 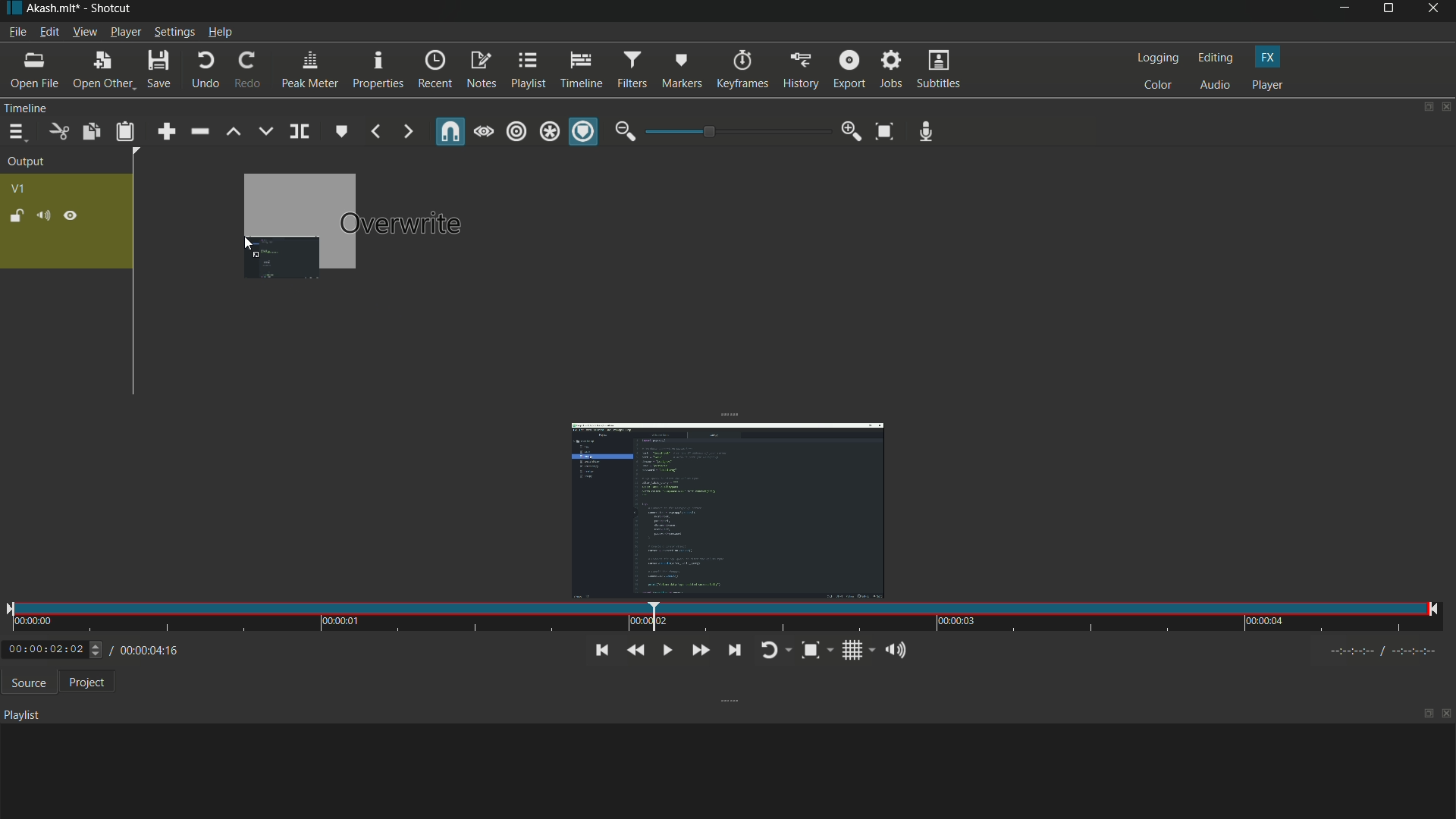 What do you see at coordinates (1155, 58) in the screenshot?
I see `logging` at bounding box center [1155, 58].